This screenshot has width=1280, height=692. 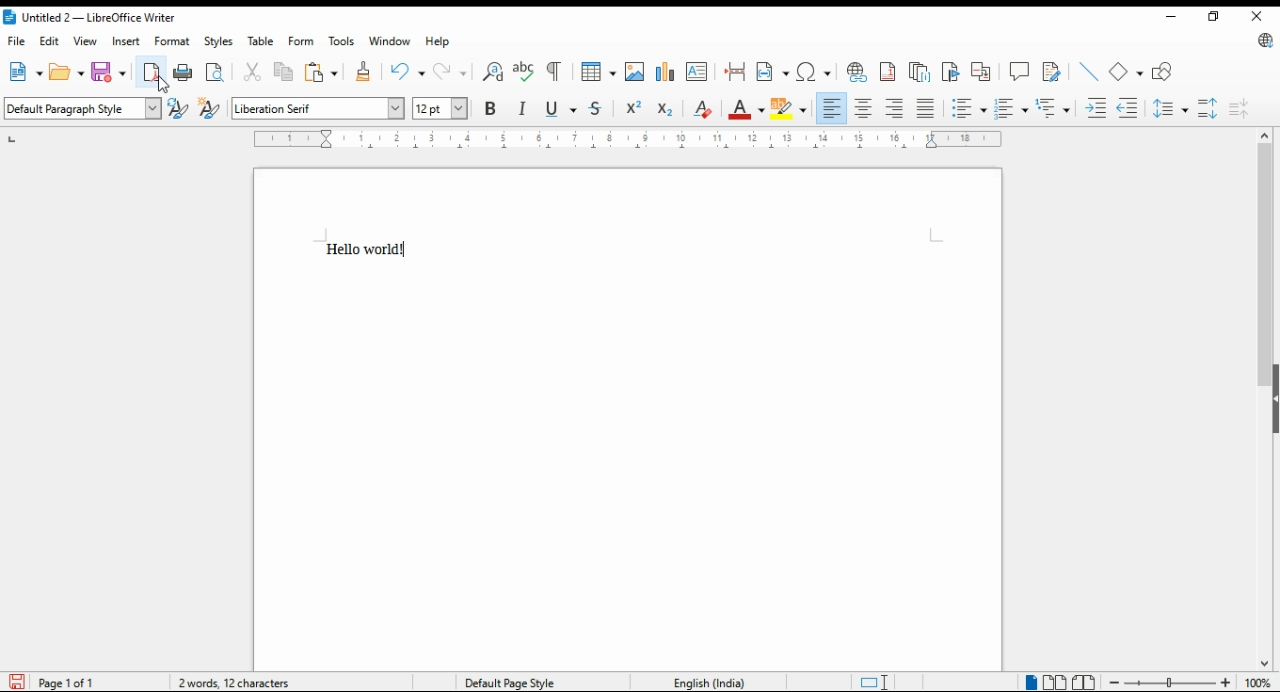 I want to click on language, so click(x=706, y=680).